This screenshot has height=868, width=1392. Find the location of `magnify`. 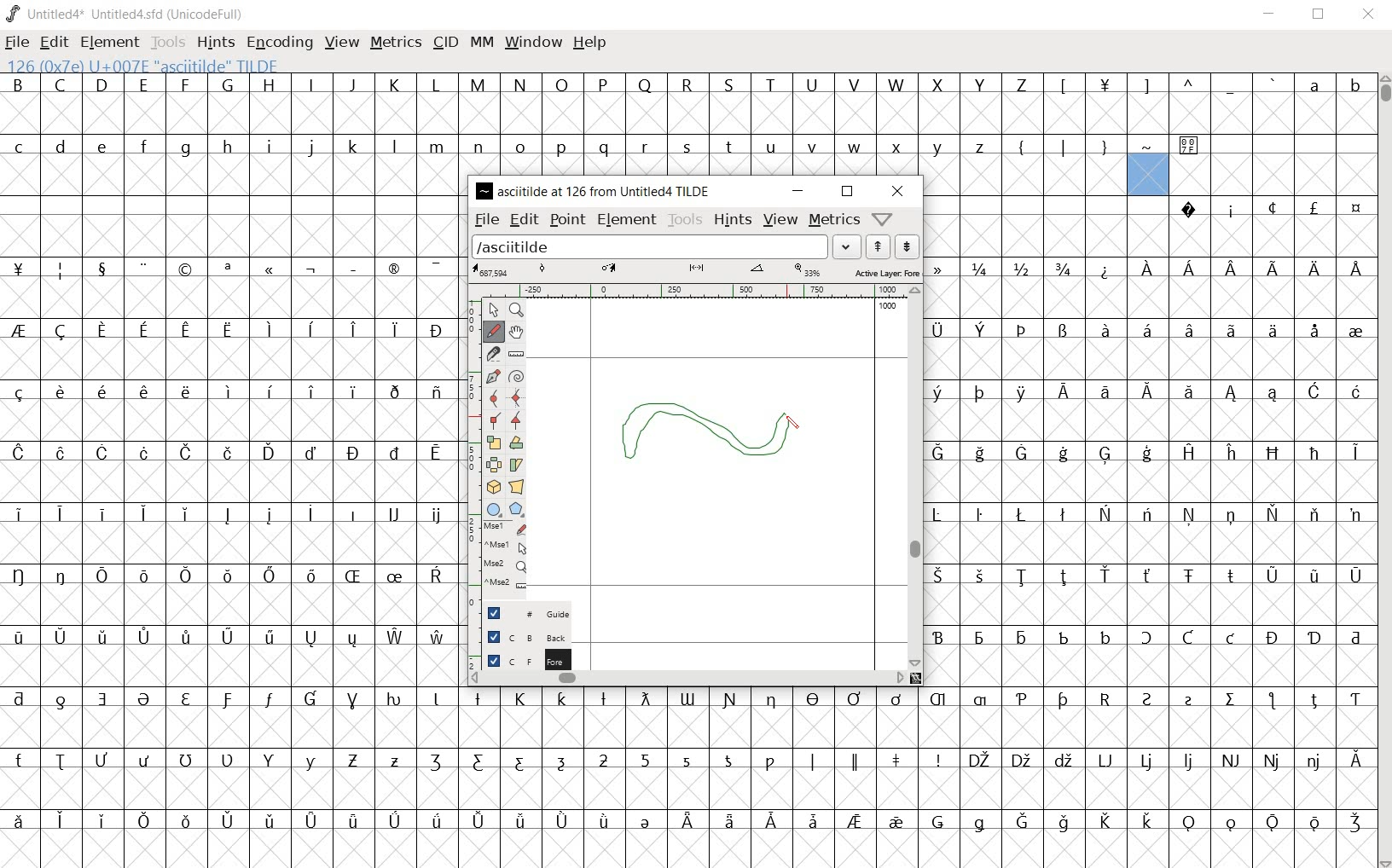

magnify is located at coordinates (519, 310).